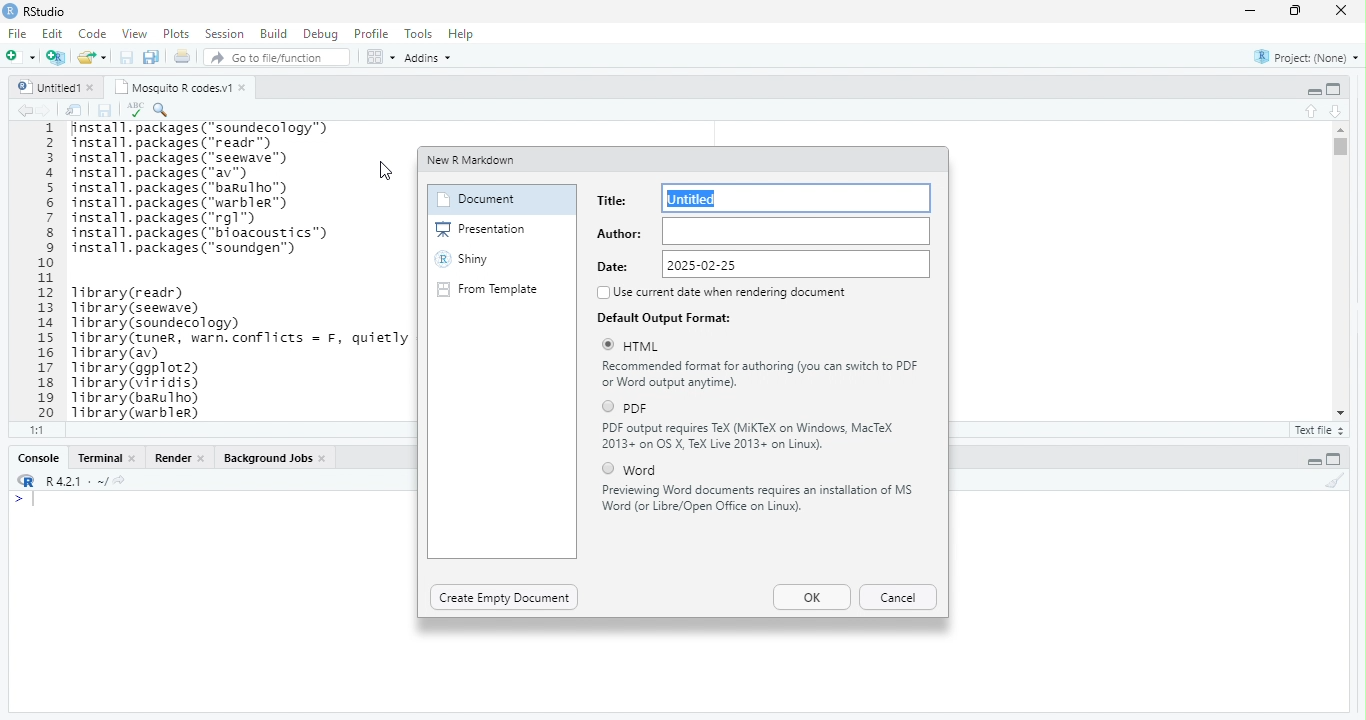 This screenshot has height=720, width=1366. What do you see at coordinates (463, 259) in the screenshot?
I see `Shiny` at bounding box center [463, 259].